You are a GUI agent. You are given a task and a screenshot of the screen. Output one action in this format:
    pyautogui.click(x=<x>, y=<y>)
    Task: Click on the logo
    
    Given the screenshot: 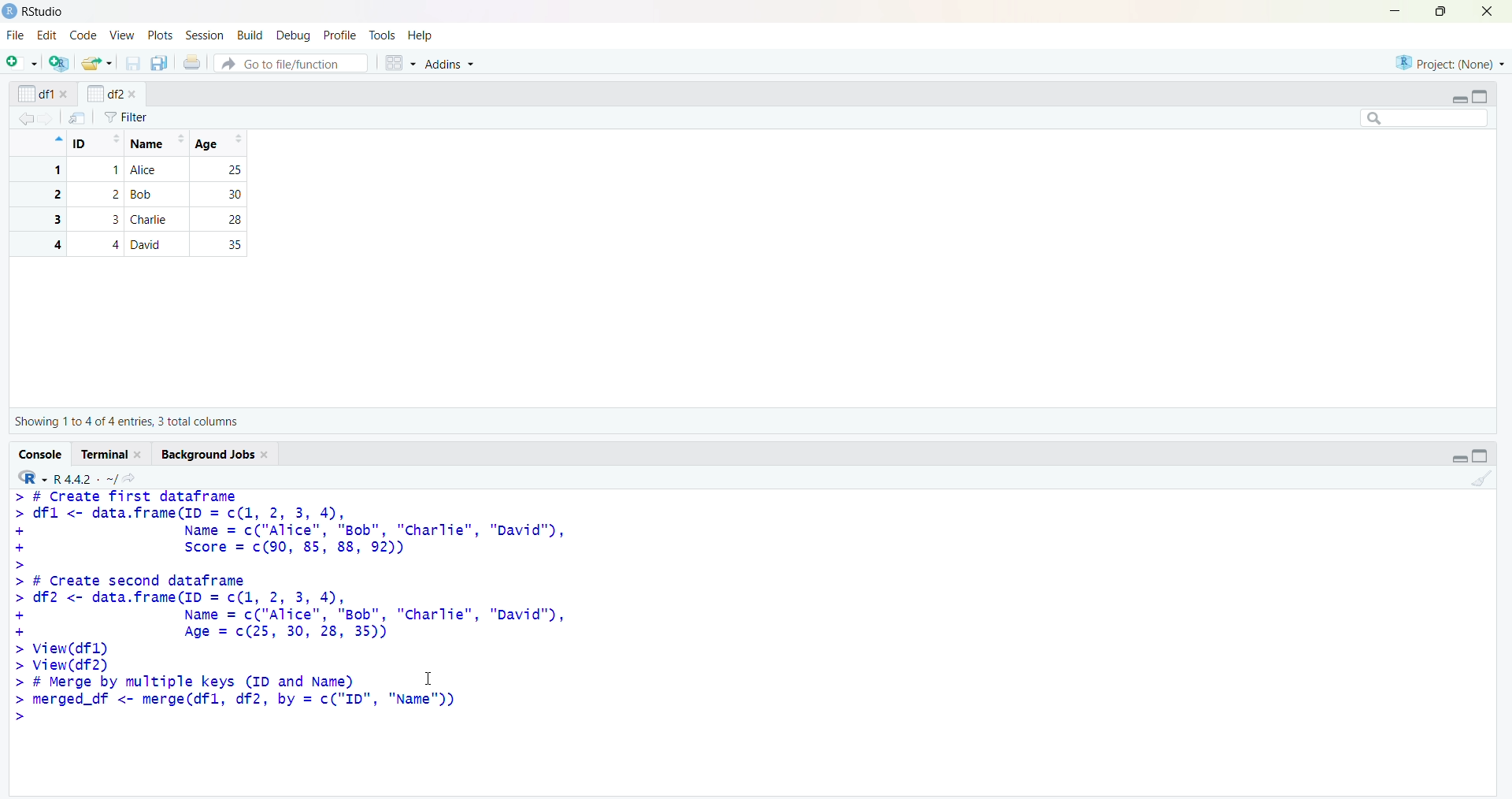 What is the action you would take?
    pyautogui.click(x=11, y=12)
    